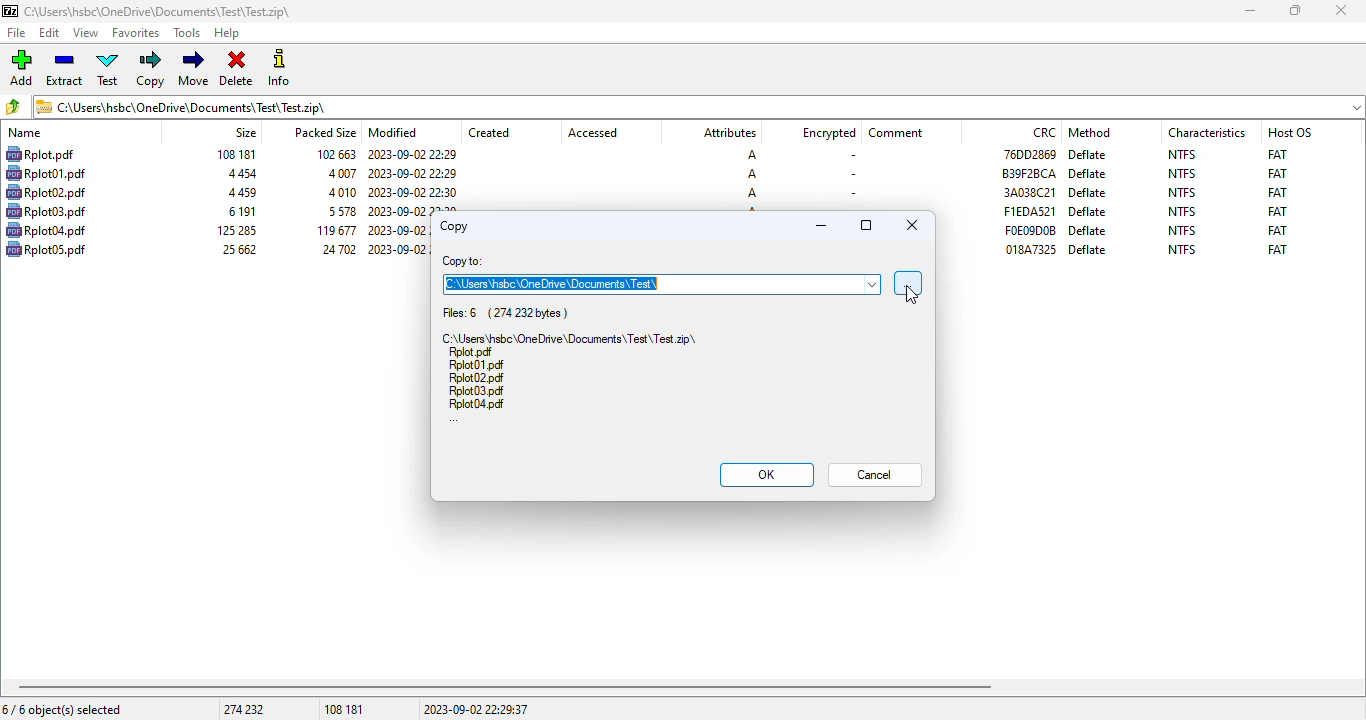 This screenshot has width=1366, height=720. I want to click on deflate, so click(1087, 212).